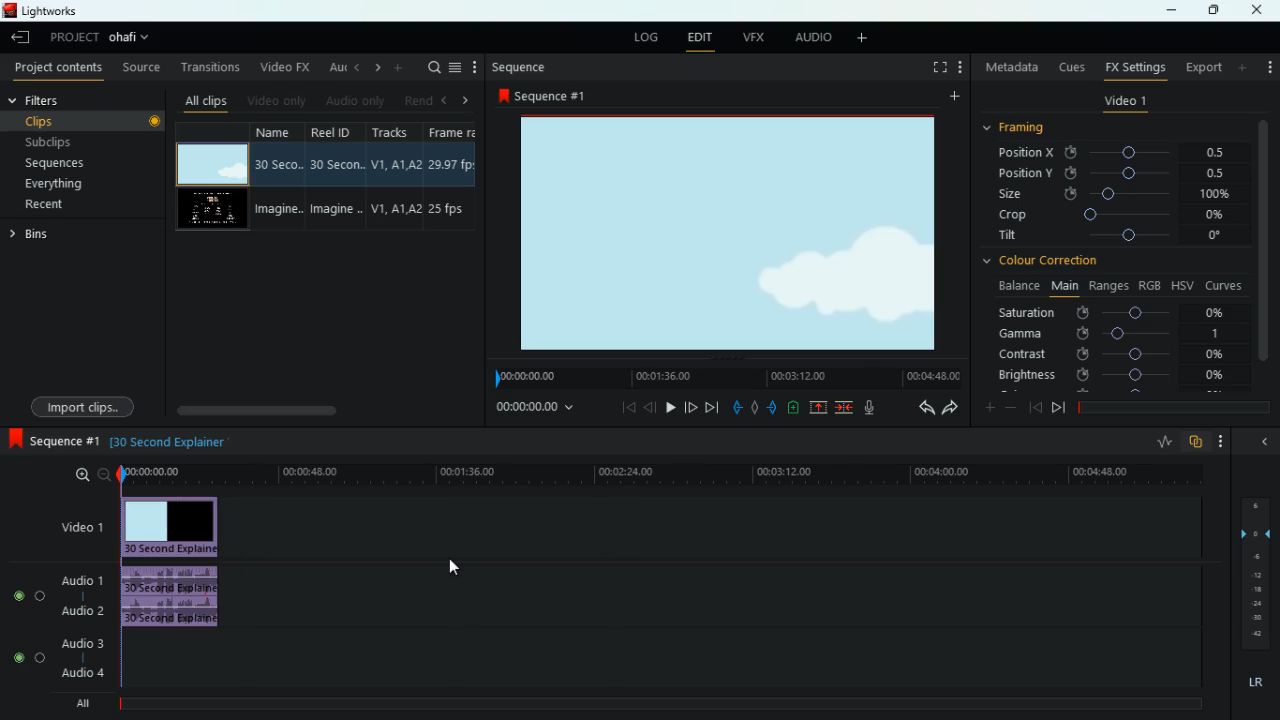 This screenshot has height=720, width=1280. What do you see at coordinates (25, 595) in the screenshot?
I see `Audio` at bounding box center [25, 595].